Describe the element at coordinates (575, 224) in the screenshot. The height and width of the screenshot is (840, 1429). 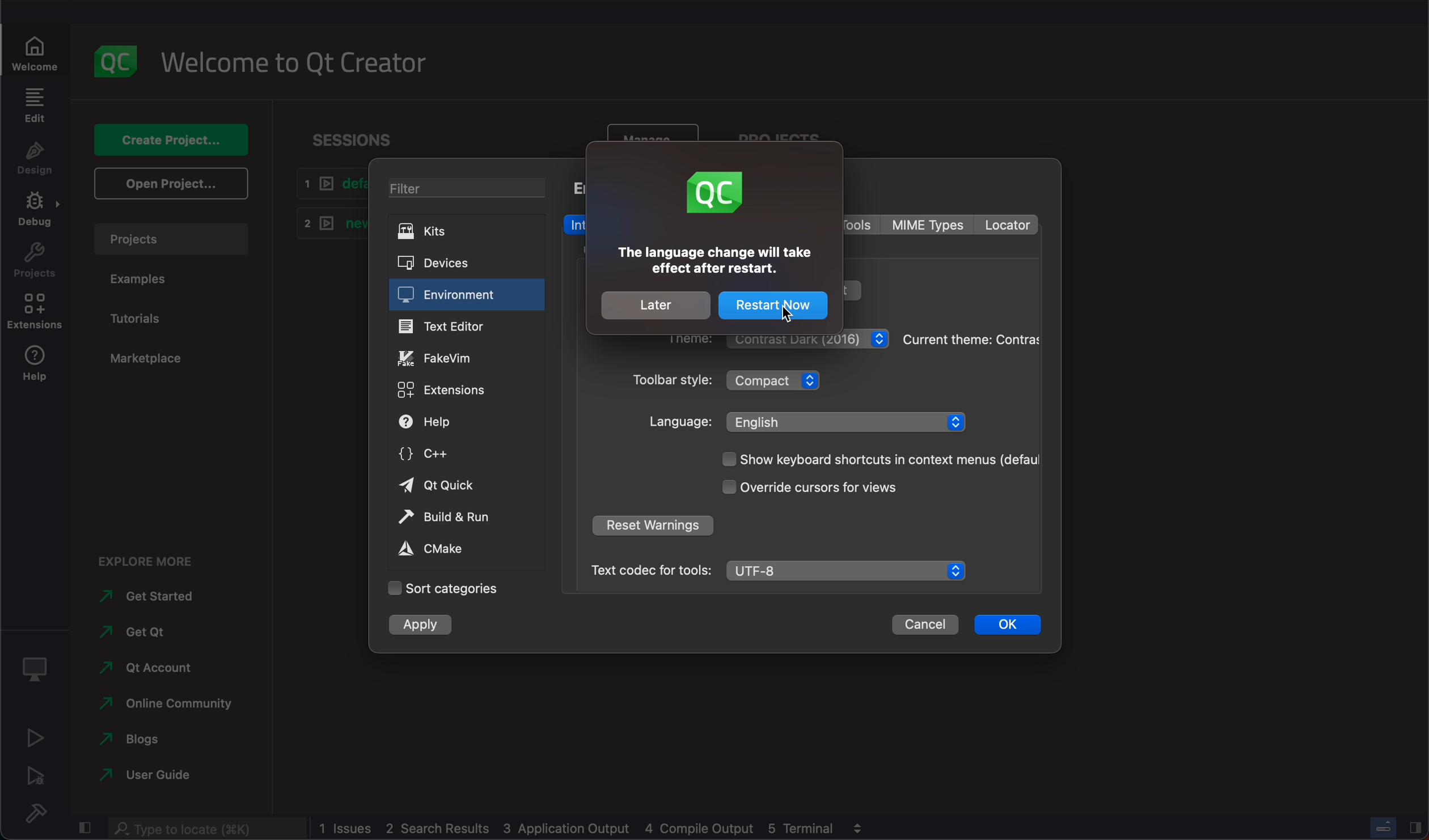
I see `interface` at that location.